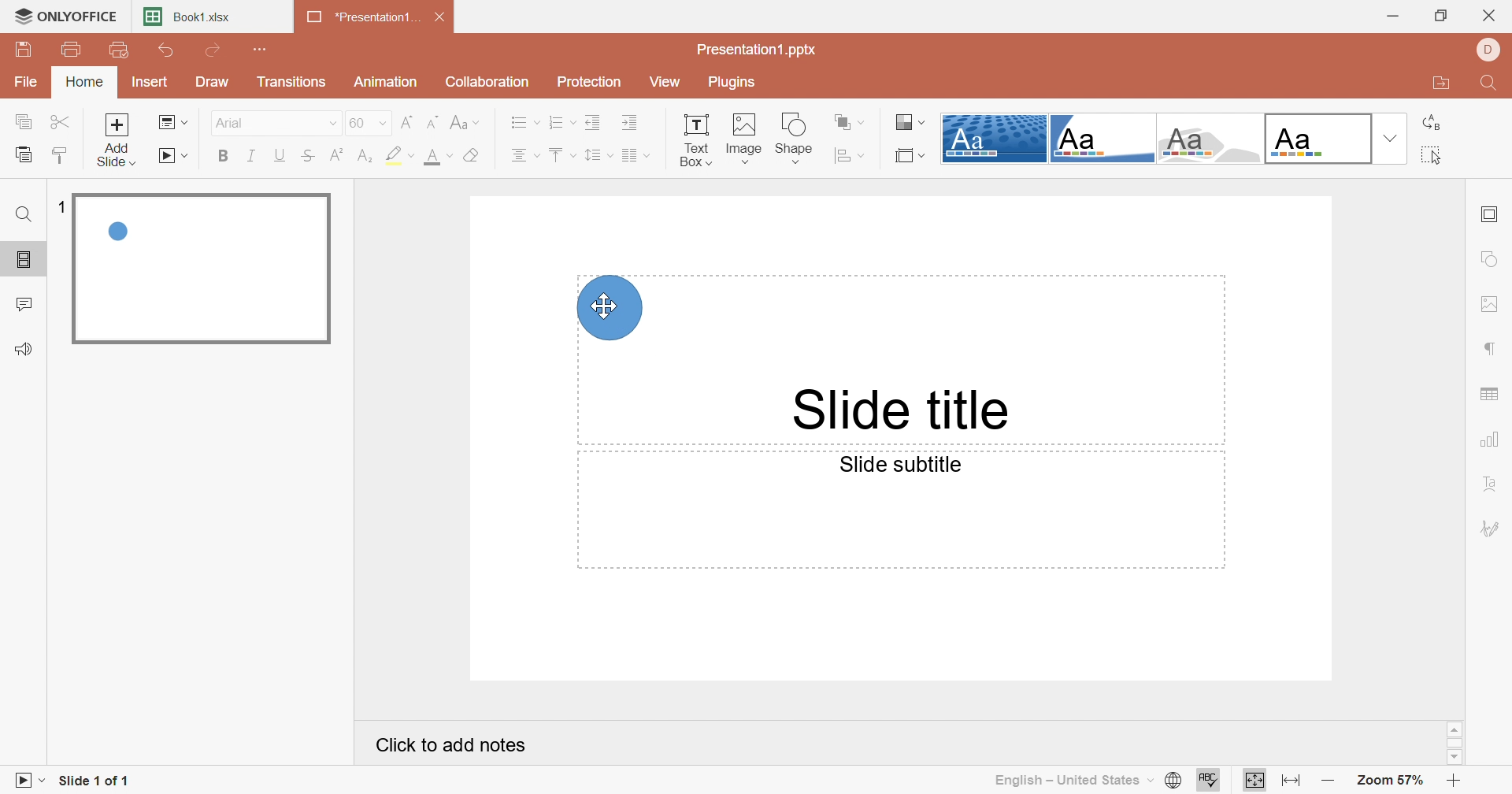 Image resolution: width=1512 pixels, height=794 pixels. What do you see at coordinates (1491, 528) in the screenshot?
I see `Signature settings` at bounding box center [1491, 528].